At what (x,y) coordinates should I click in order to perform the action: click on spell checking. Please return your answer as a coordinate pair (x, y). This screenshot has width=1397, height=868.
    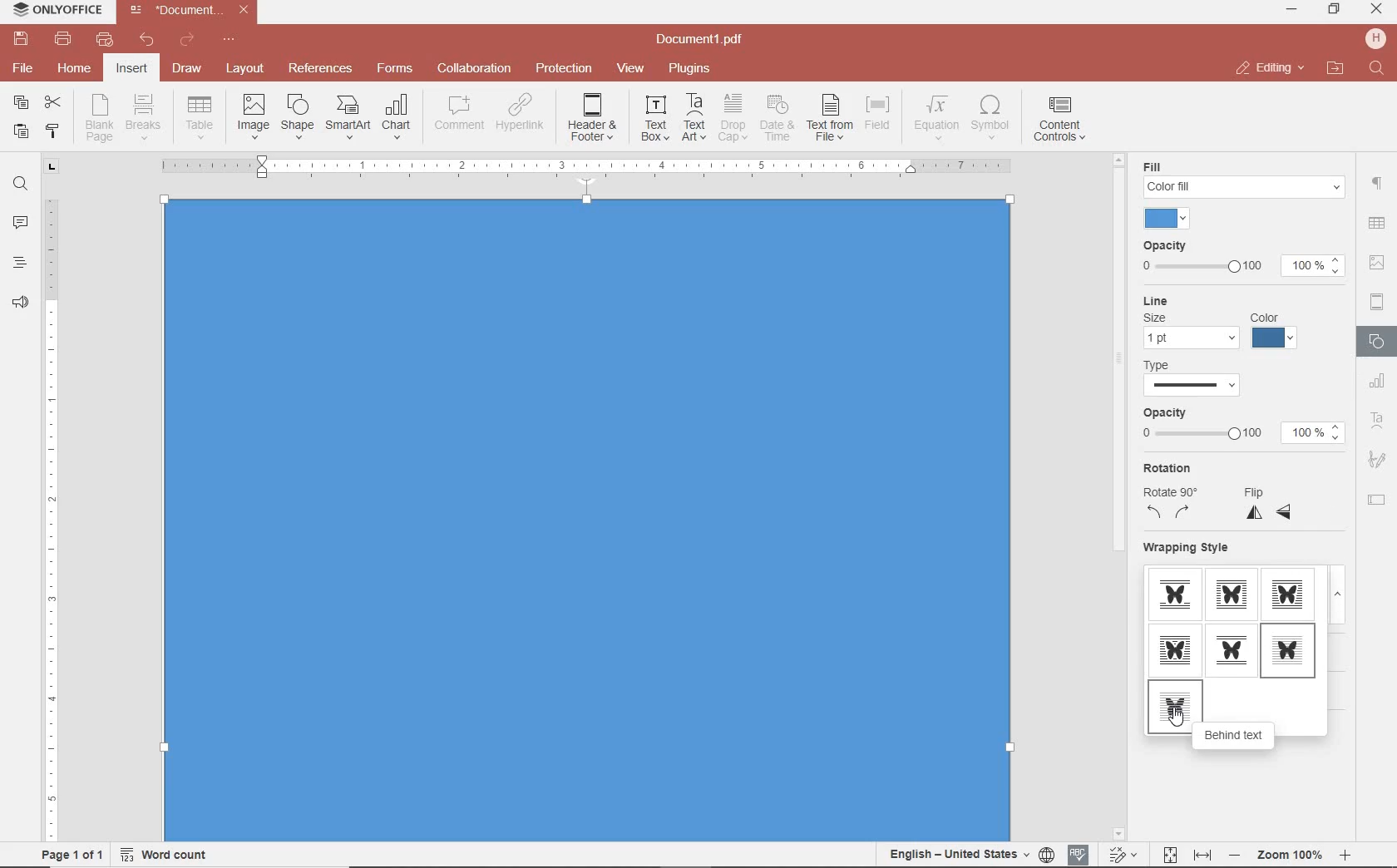
    Looking at the image, I should click on (1079, 855).